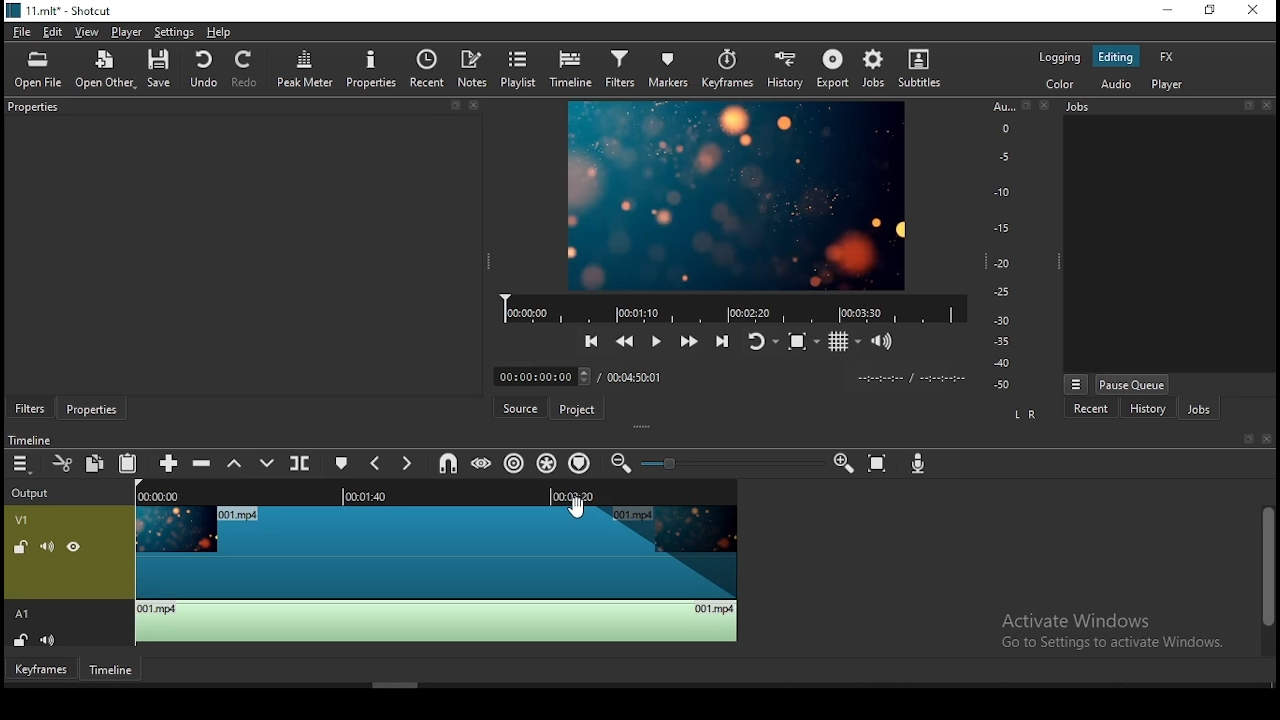 This screenshot has width=1280, height=720. What do you see at coordinates (622, 463) in the screenshot?
I see `zoom timeline out` at bounding box center [622, 463].